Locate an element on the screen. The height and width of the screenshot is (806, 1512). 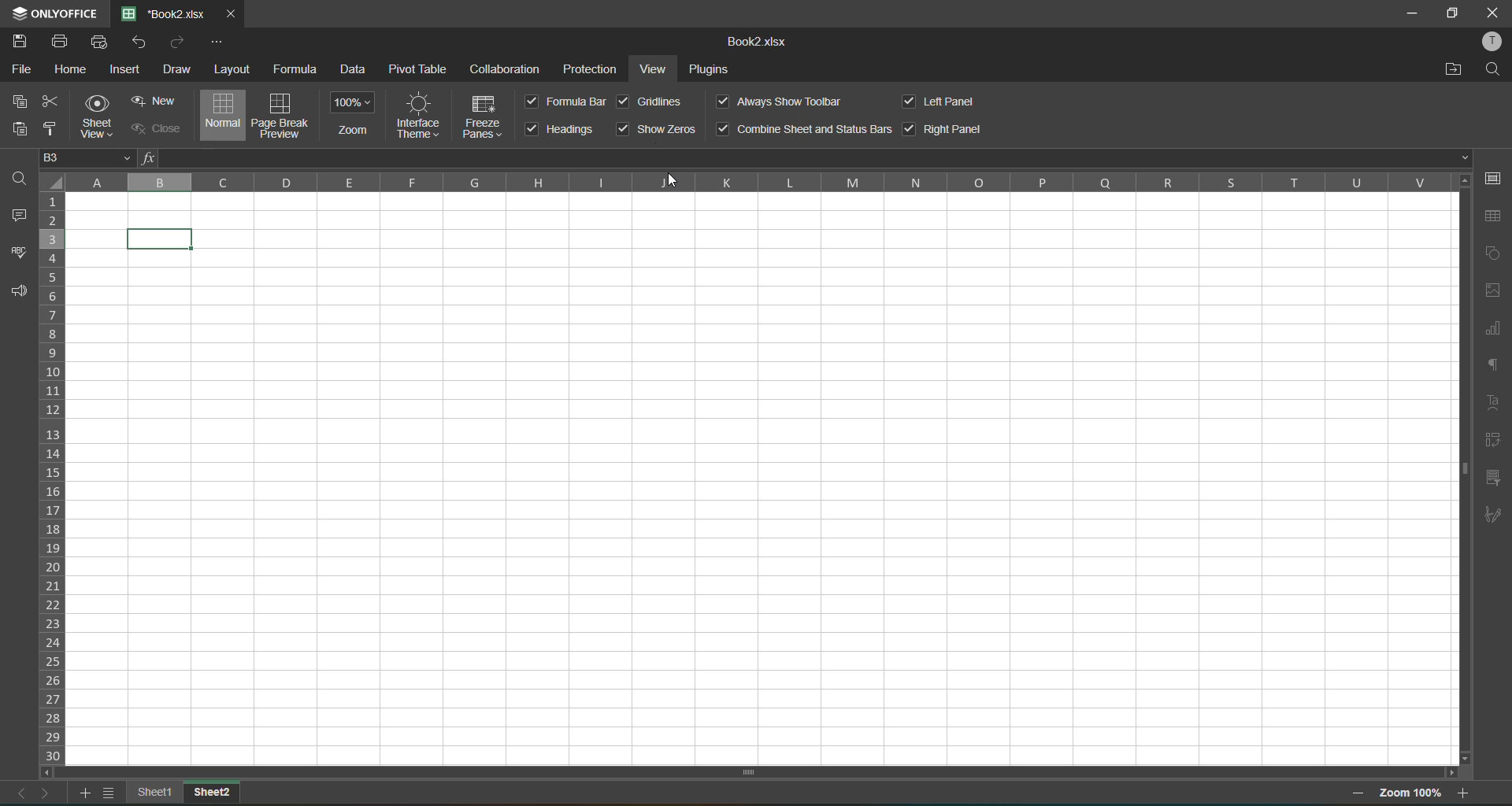
insert is located at coordinates (127, 71).